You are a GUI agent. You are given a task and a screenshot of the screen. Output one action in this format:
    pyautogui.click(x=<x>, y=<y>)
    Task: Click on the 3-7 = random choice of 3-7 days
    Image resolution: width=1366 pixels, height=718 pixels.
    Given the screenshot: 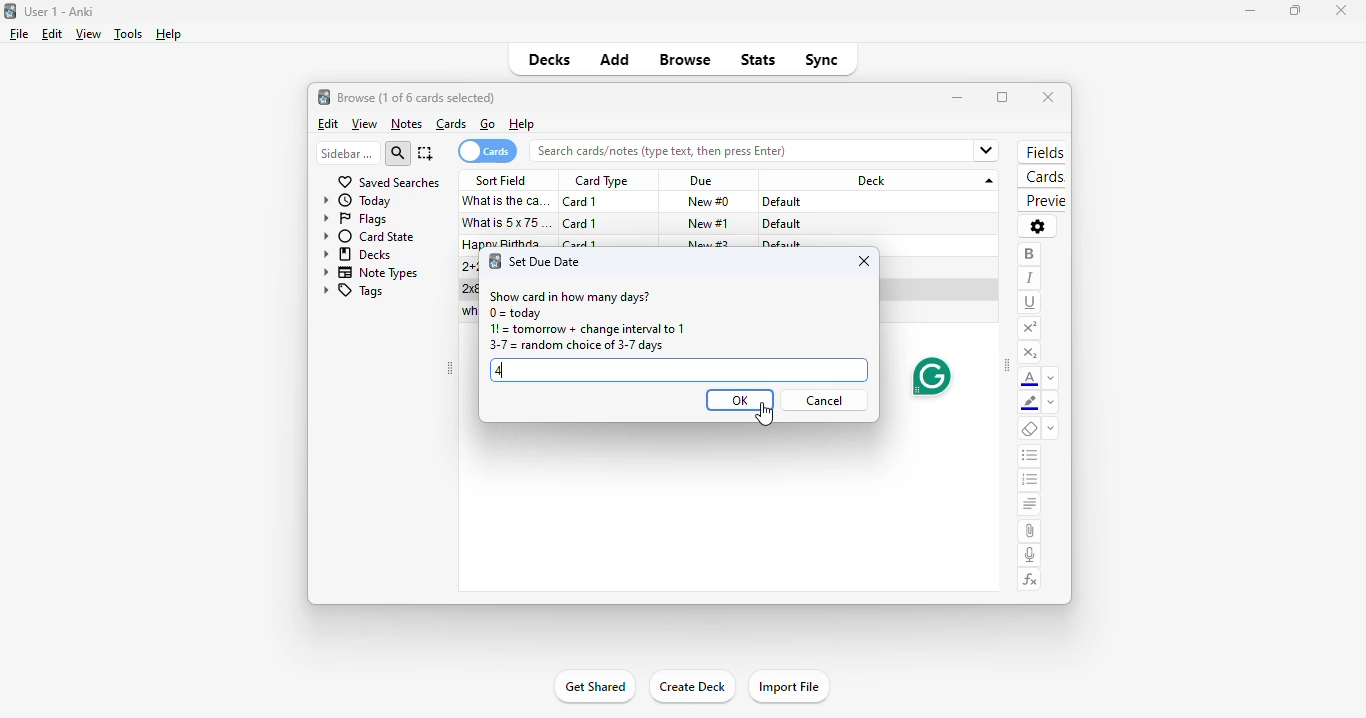 What is the action you would take?
    pyautogui.click(x=575, y=346)
    